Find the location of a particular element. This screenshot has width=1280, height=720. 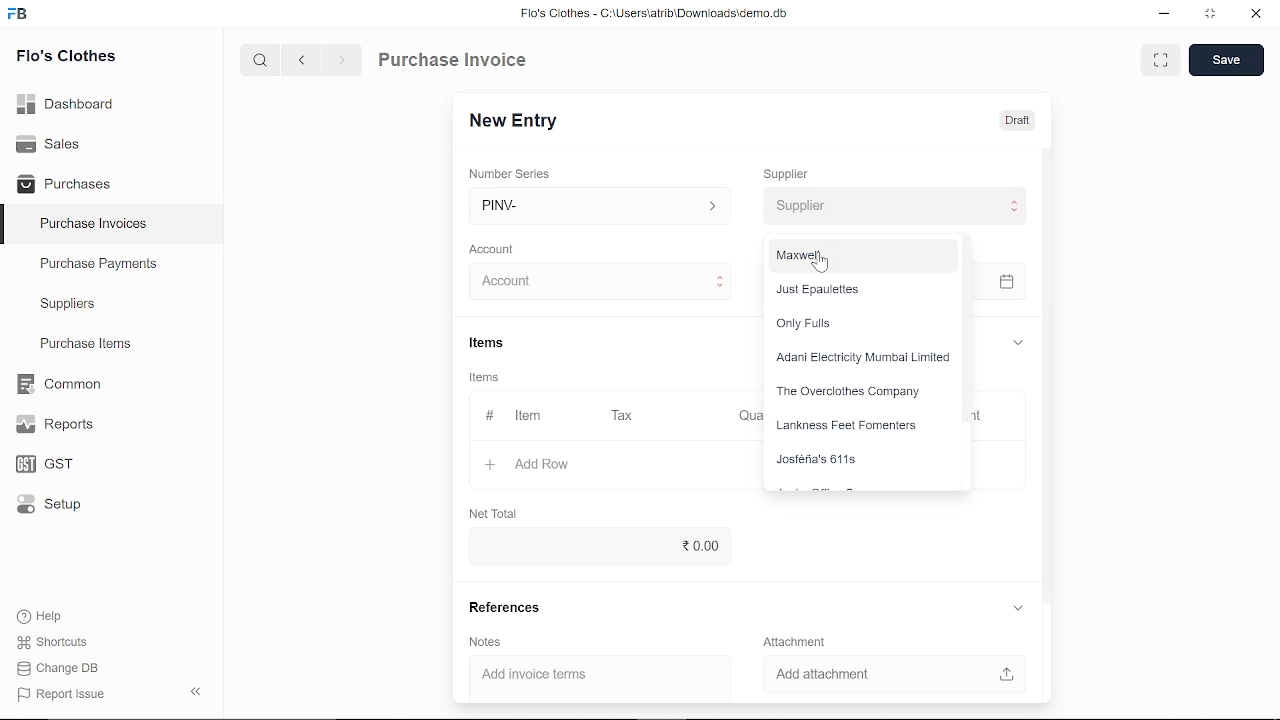

frappe books logo is located at coordinates (22, 15).